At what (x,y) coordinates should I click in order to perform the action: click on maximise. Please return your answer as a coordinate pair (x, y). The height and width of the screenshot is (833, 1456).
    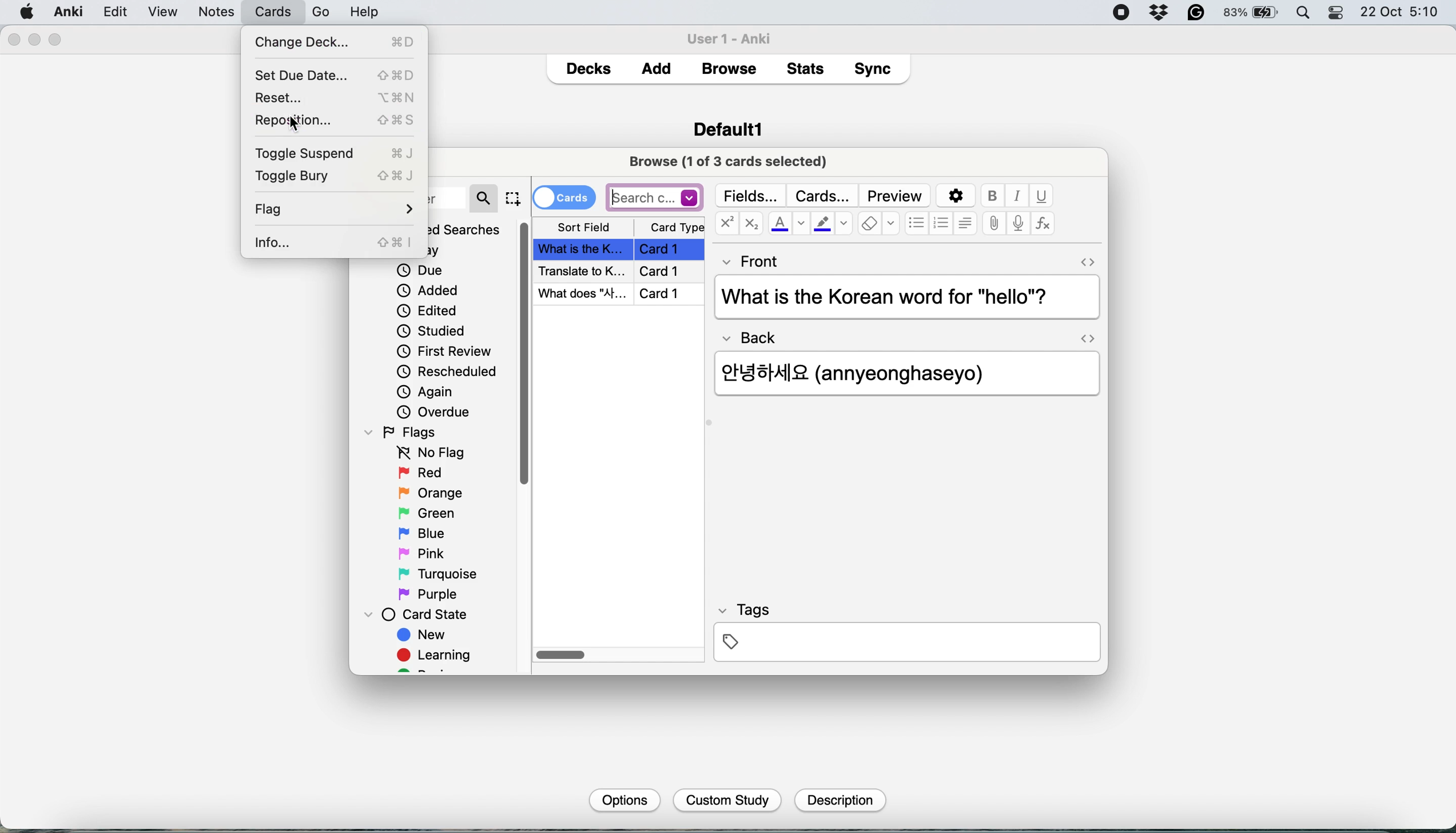
    Looking at the image, I should click on (56, 40).